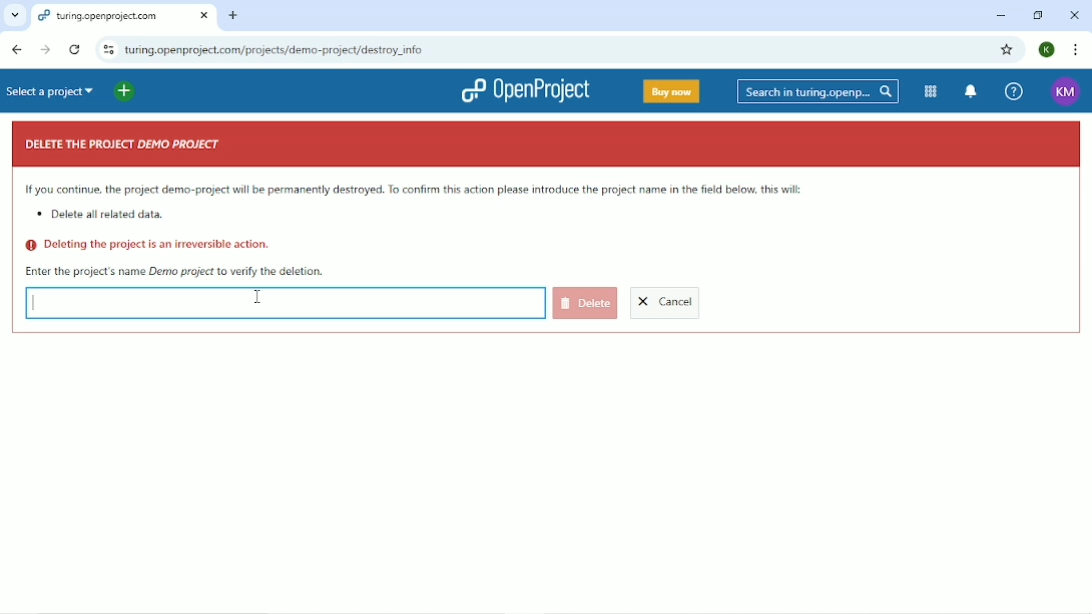 The height and width of the screenshot is (614, 1092). What do you see at coordinates (1008, 49) in the screenshot?
I see `Bookmark this tab` at bounding box center [1008, 49].